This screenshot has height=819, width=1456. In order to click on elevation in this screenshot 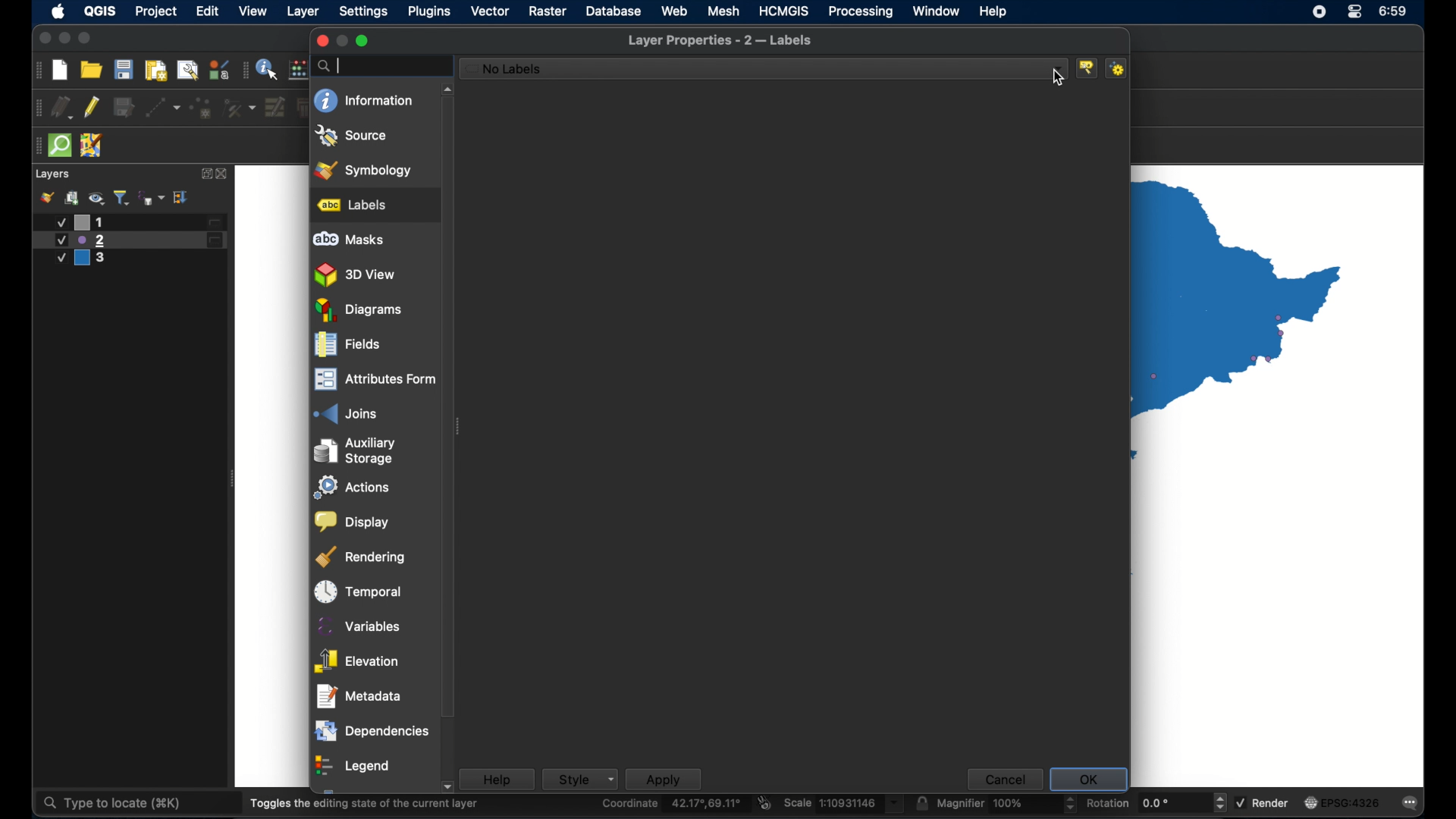, I will do `click(357, 661)`.